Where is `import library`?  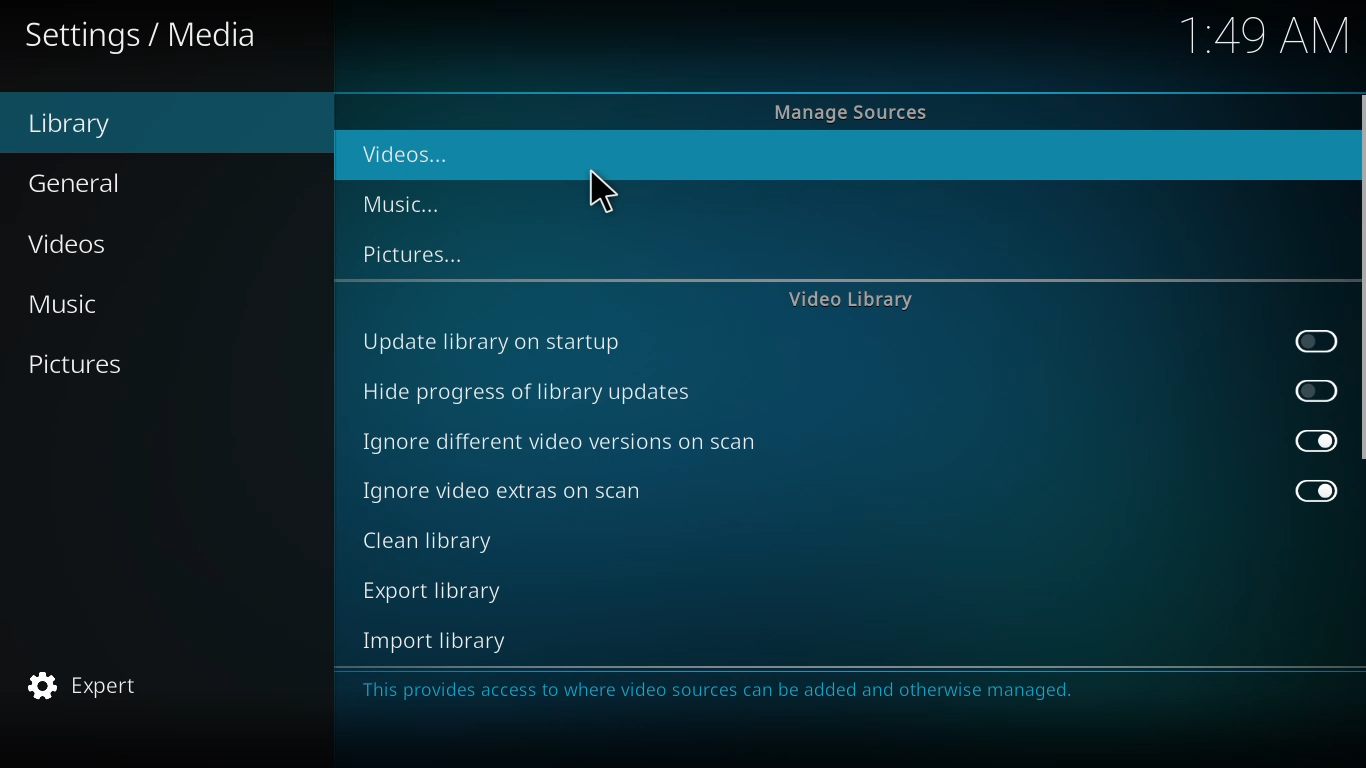 import library is located at coordinates (430, 641).